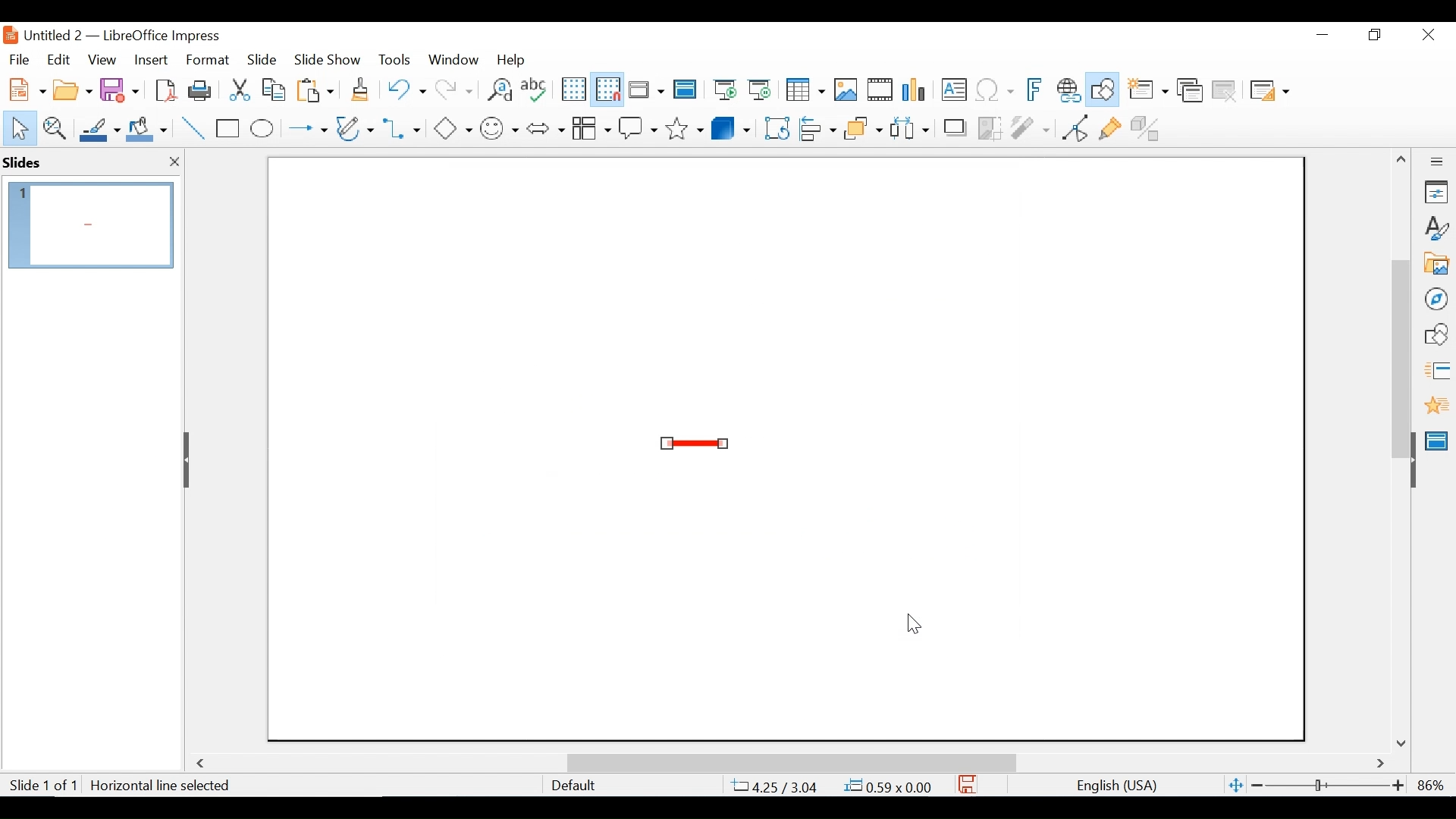  Describe the element at coordinates (573, 89) in the screenshot. I see `Display Grid` at that location.